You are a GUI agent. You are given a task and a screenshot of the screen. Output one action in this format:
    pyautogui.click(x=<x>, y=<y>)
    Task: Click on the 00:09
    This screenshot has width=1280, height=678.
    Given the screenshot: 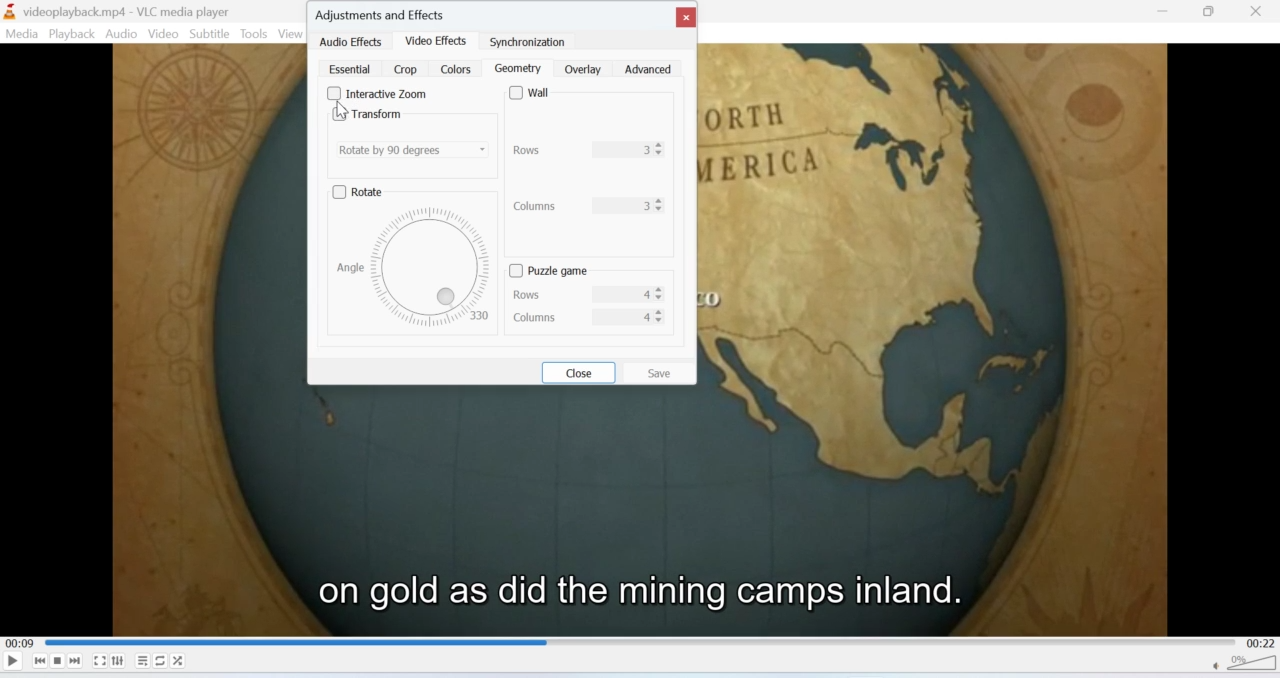 What is the action you would take?
    pyautogui.click(x=18, y=644)
    